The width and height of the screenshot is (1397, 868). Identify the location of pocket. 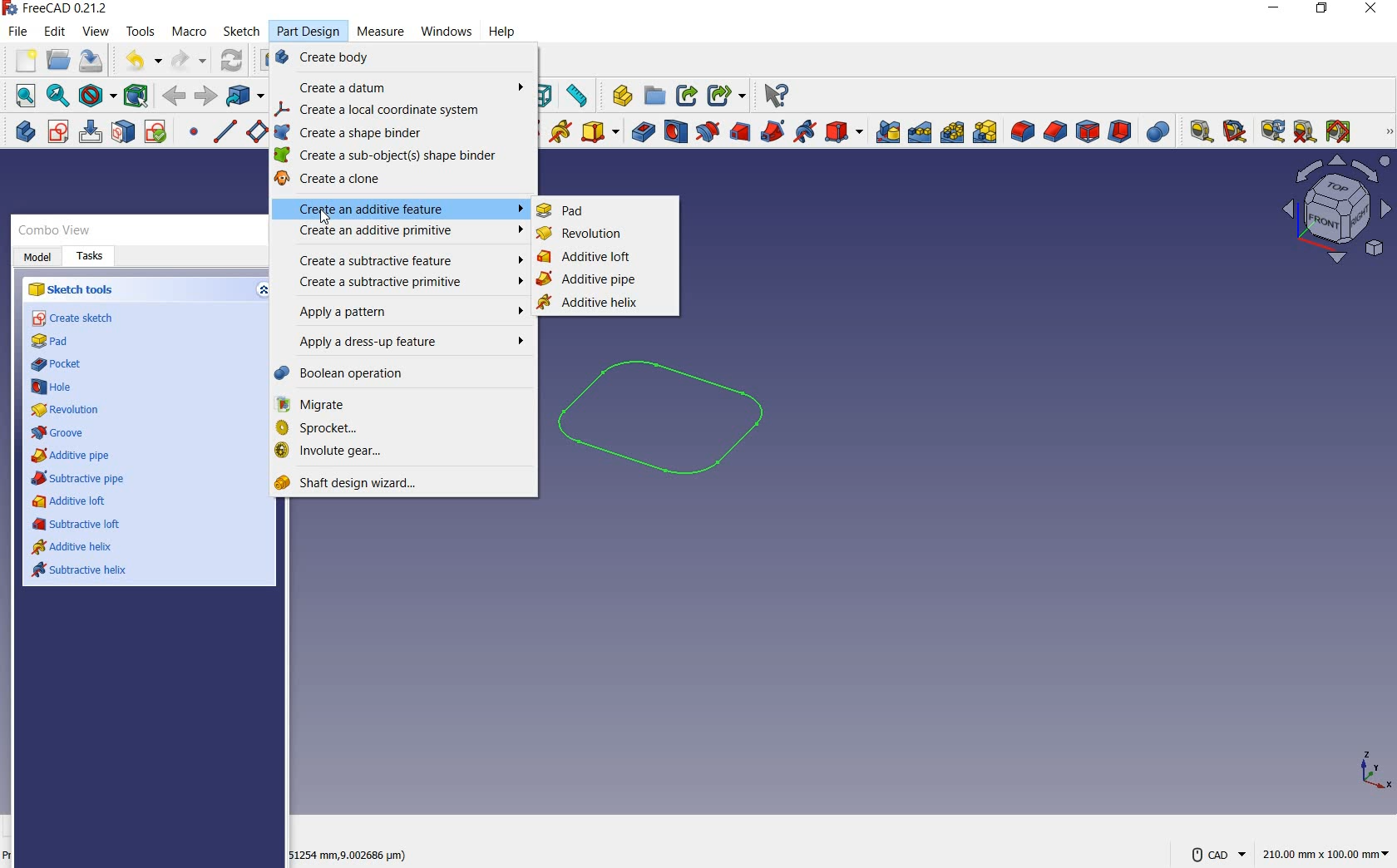
(62, 367).